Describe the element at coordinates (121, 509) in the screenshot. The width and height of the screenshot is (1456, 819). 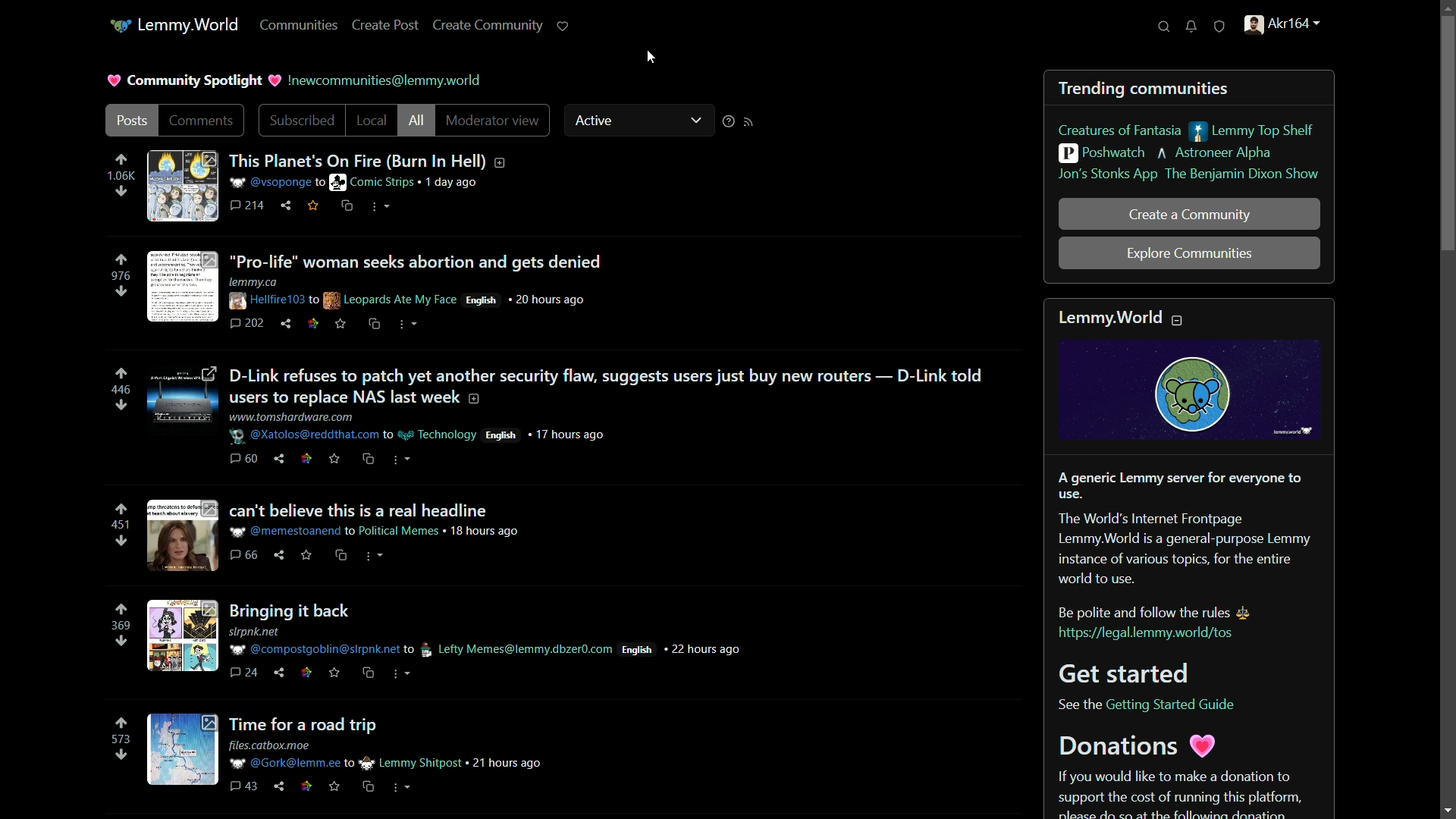
I see `upvote` at that location.